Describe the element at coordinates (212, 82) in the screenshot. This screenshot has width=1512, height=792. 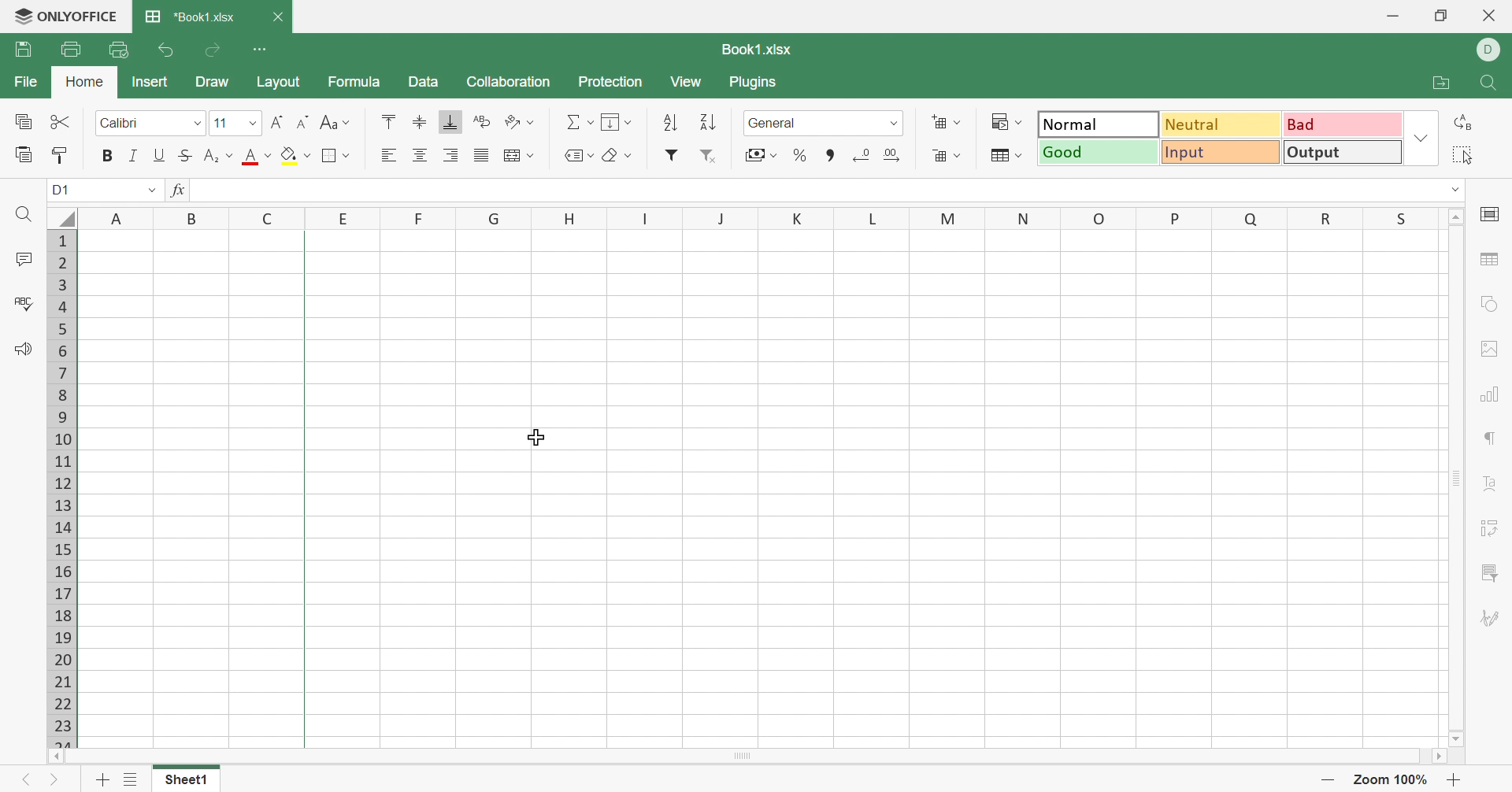
I see `Draw` at that location.